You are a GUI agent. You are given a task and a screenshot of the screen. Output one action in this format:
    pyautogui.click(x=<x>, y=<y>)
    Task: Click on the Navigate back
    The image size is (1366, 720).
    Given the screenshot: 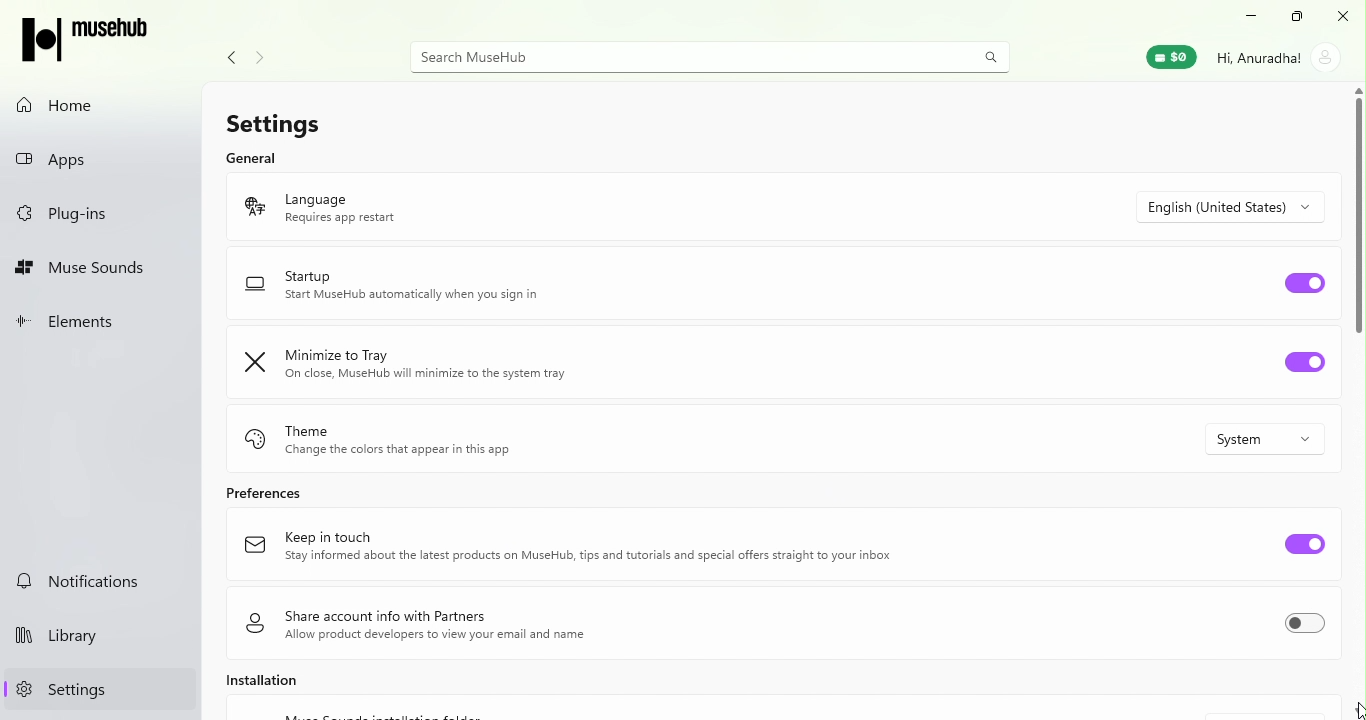 What is the action you would take?
    pyautogui.click(x=230, y=58)
    